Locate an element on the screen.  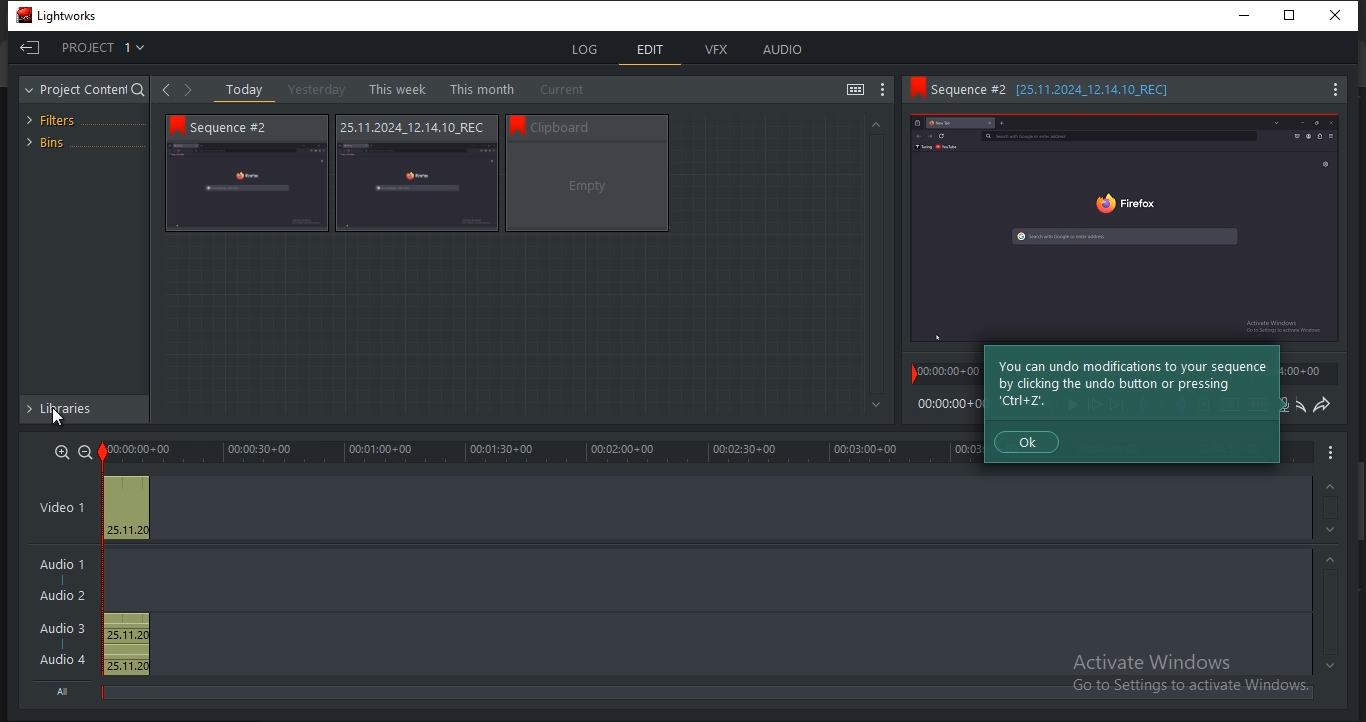
Menu is located at coordinates (1329, 89).